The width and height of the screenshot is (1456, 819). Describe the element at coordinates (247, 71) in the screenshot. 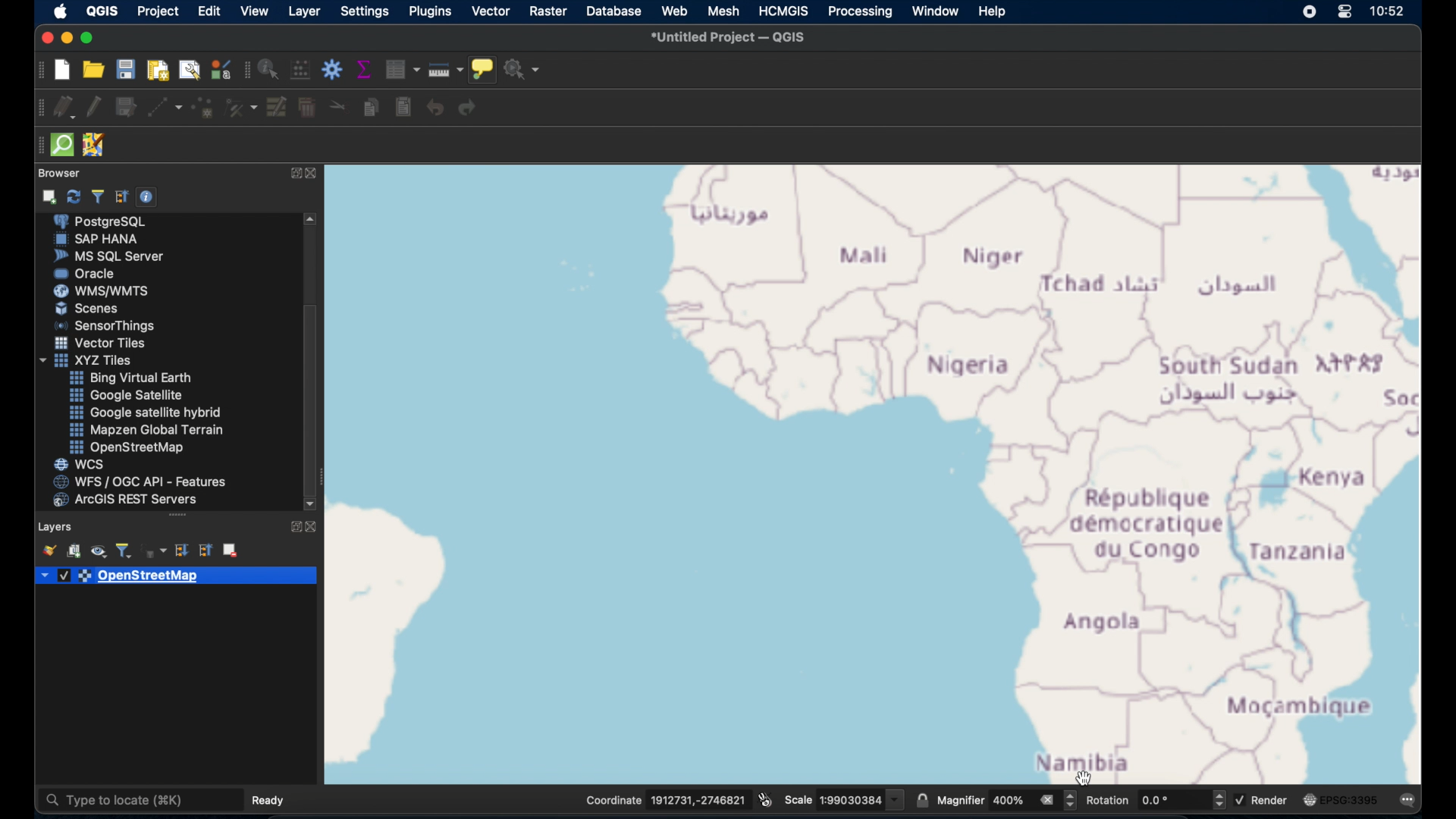

I see `attributes toolbar` at that location.